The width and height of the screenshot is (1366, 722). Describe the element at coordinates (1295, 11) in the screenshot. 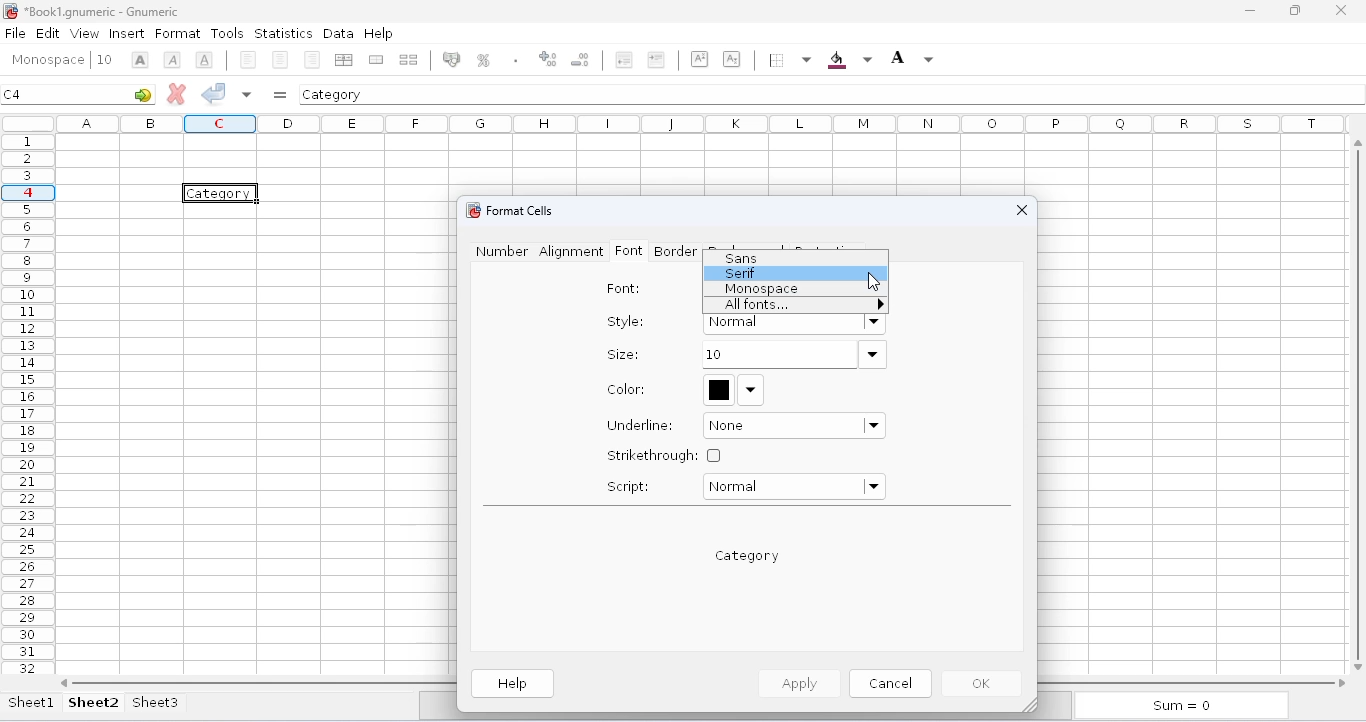

I see `maximize` at that location.